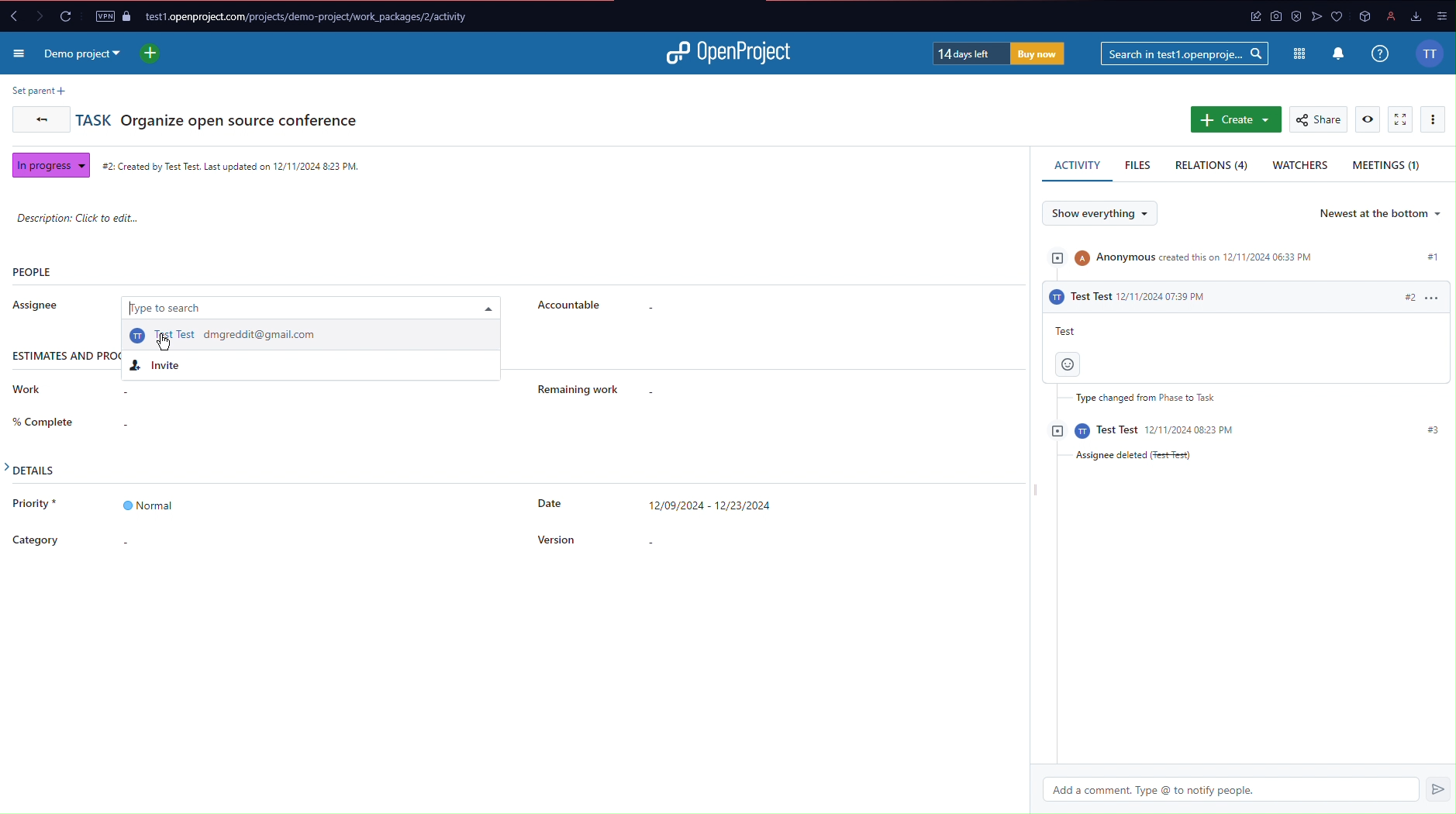 The width and height of the screenshot is (1456, 814). I want to click on #1, so click(1434, 259).